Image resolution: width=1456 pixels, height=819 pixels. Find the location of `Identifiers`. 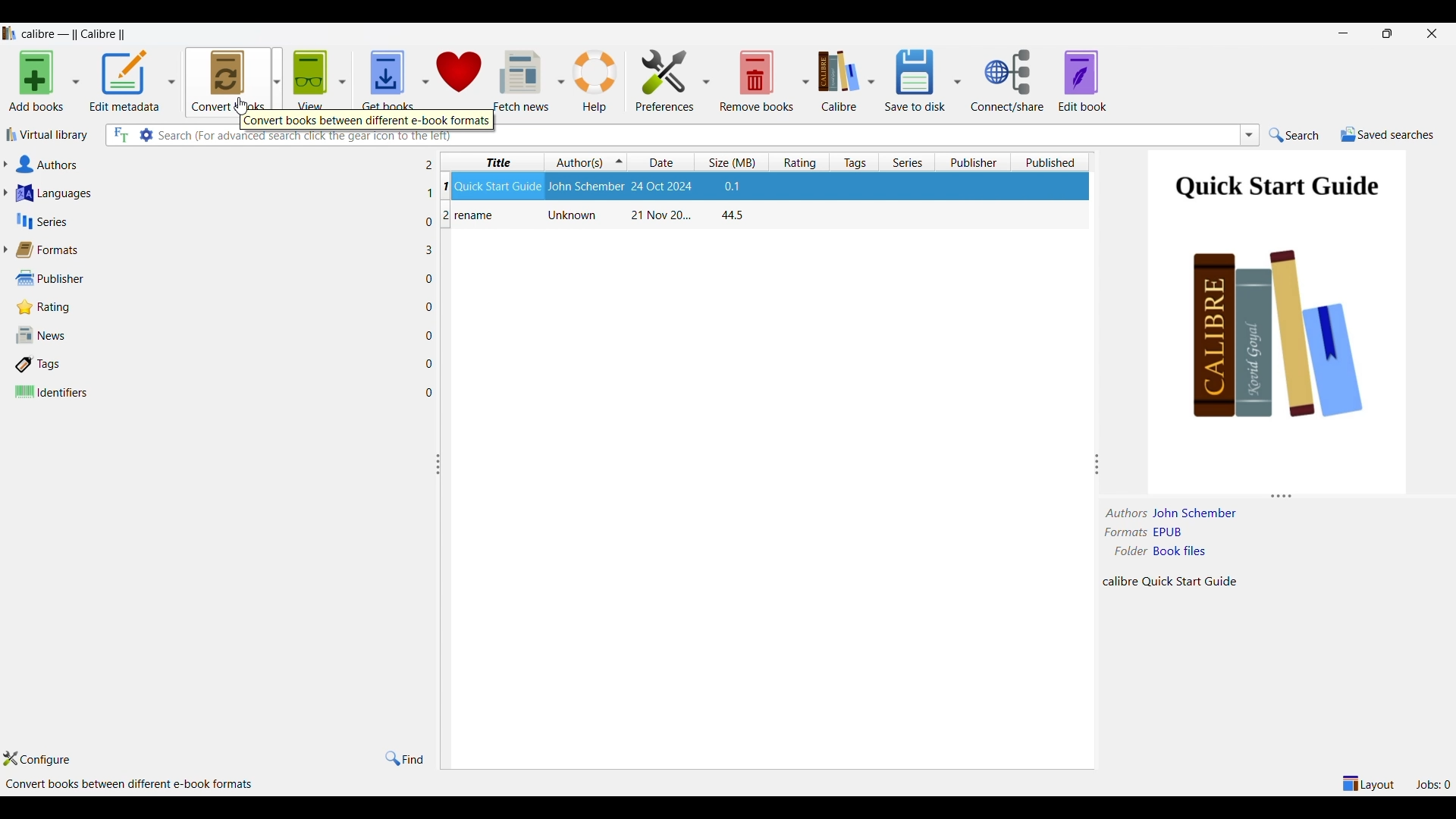

Identifiers is located at coordinates (216, 393).